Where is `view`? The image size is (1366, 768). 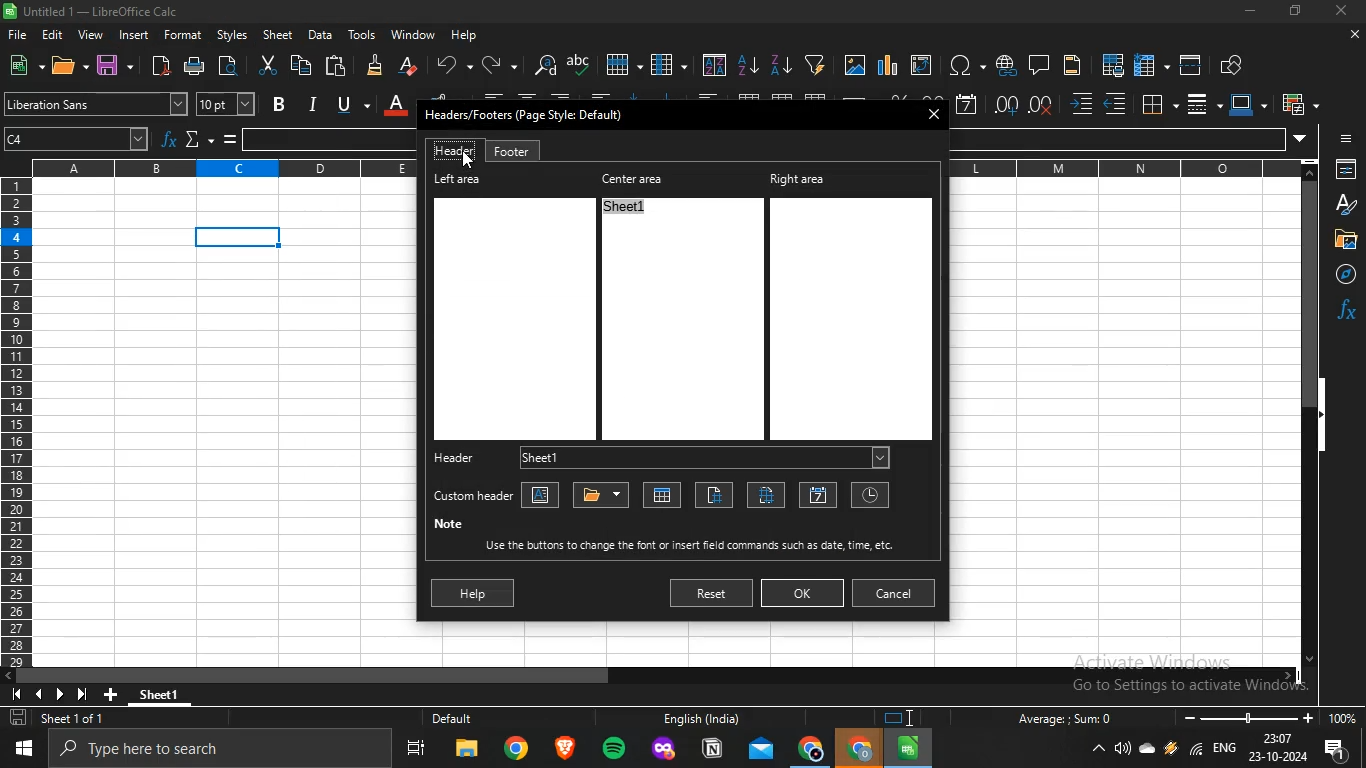 view is located at coordinates (90, 35).